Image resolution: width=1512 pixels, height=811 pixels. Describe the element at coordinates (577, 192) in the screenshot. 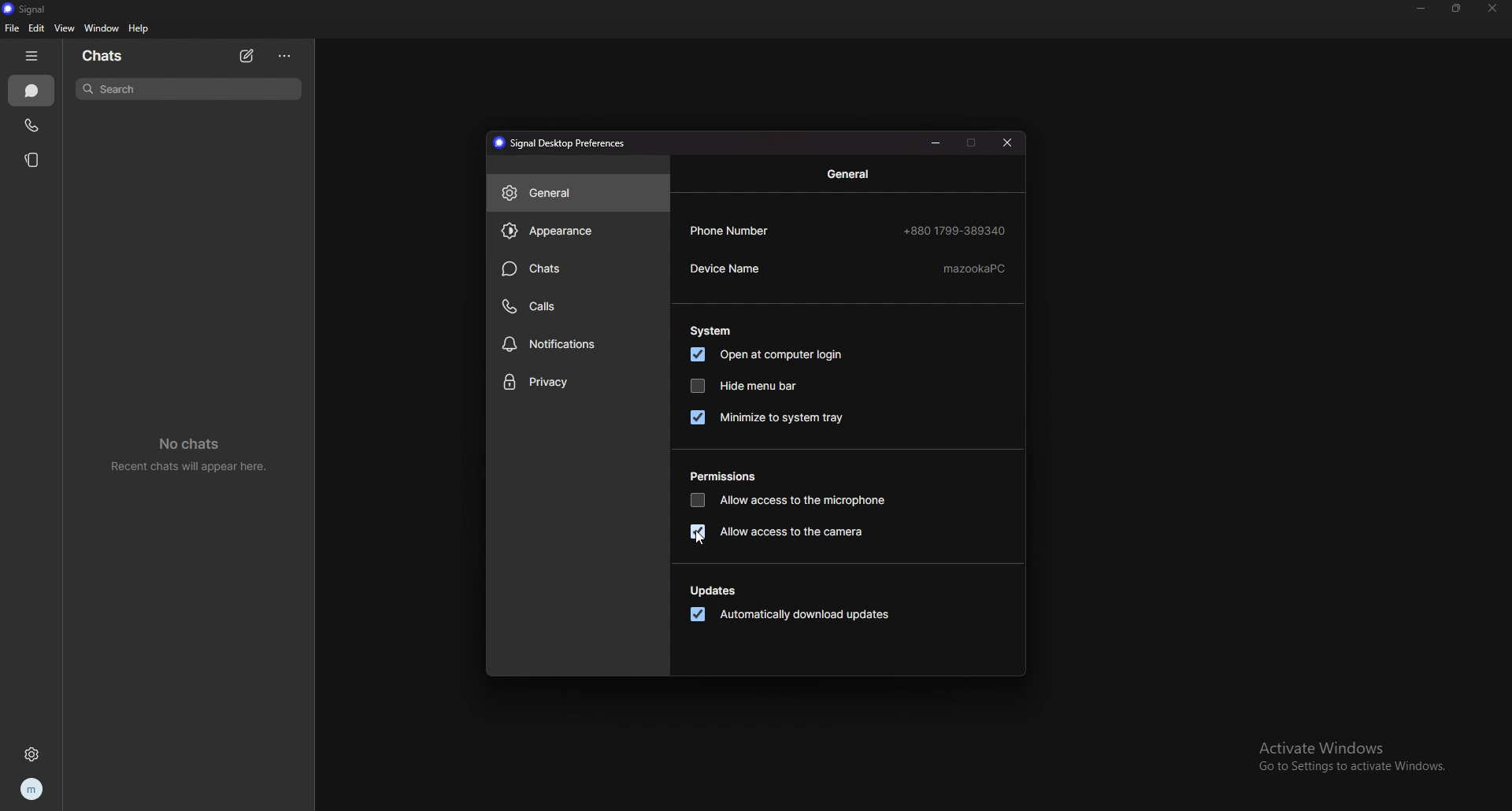

I see `general` at that location.